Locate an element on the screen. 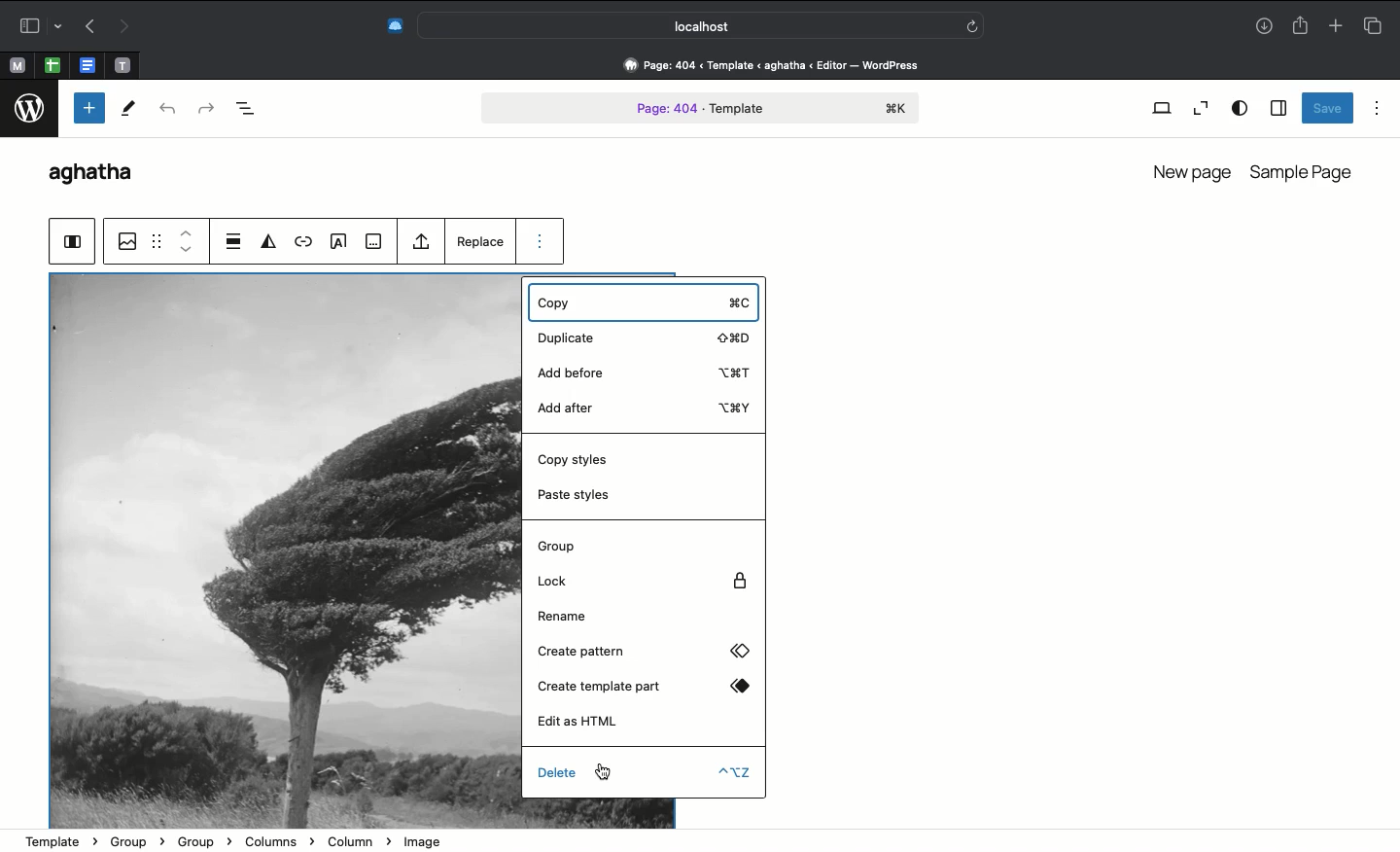 This screenshot has width=1400, height=852. Tools is located at coordinates (127, 109).